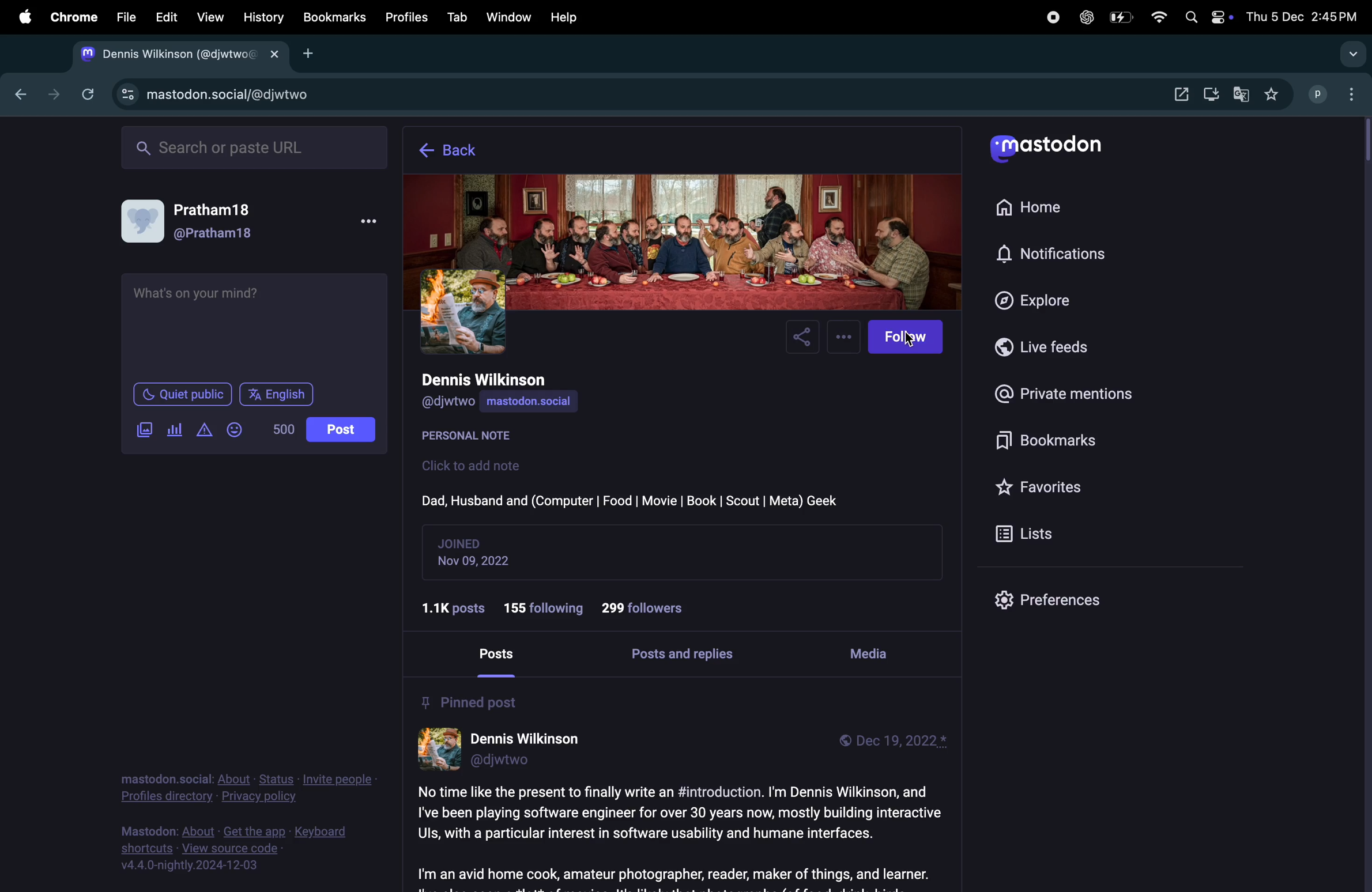 This screenshot has width=1372, height=892. What do you see at coordinates (315, 54) in the screenshot?
I see `add tab` at bounding box center [315, 54].